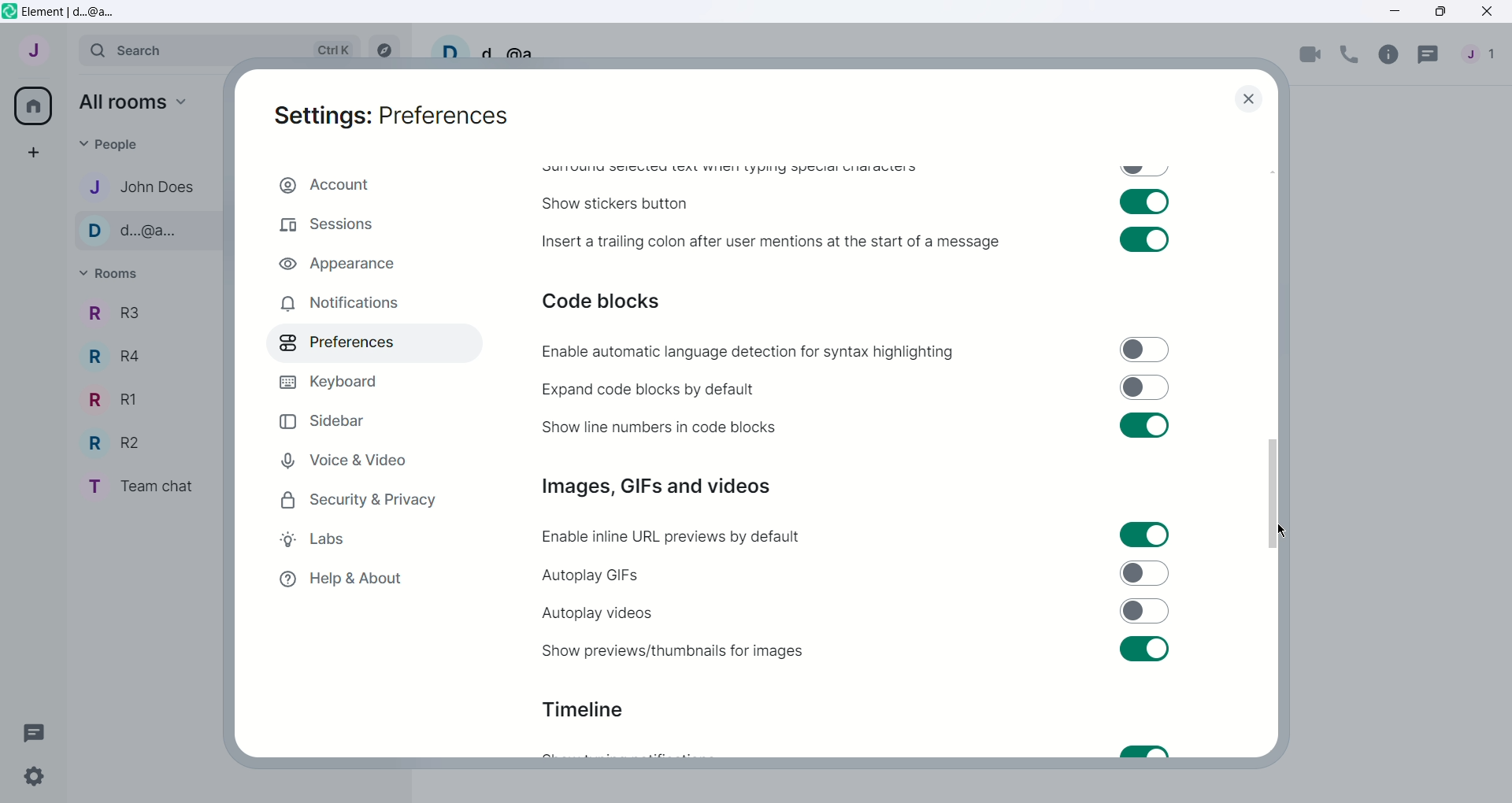 The height and width of the screenshot is (803, 1512). Describe the element at coordinates (669, 650) in the screenshot. I see `Show previews or thumbnails for images` at that location.